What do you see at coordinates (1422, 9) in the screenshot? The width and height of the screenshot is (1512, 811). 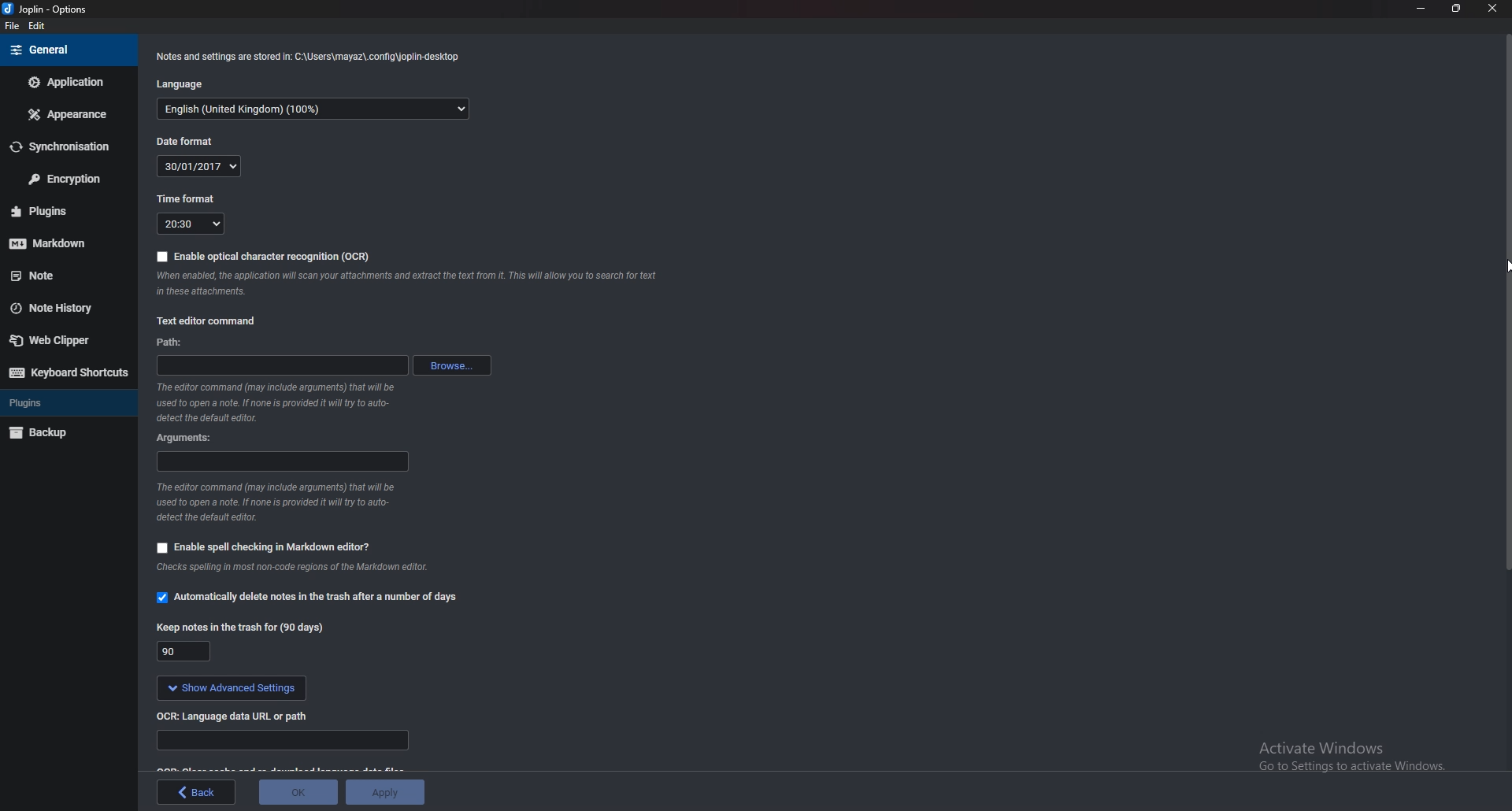 I see `Minimize` at bounding box center [1422, 9].